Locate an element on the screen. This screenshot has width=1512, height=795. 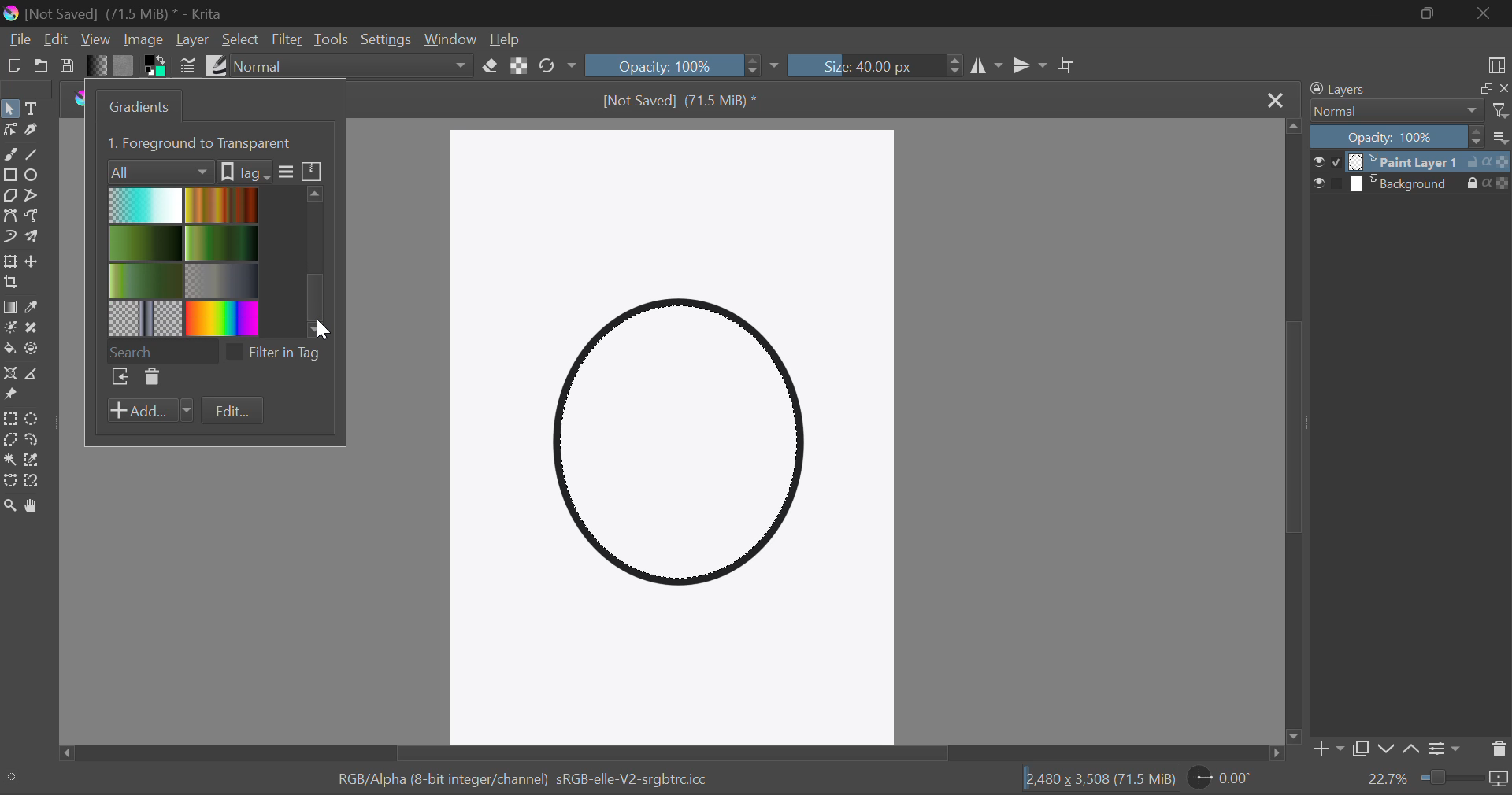
Scroll Bar is located at coordinates (1291, 434).